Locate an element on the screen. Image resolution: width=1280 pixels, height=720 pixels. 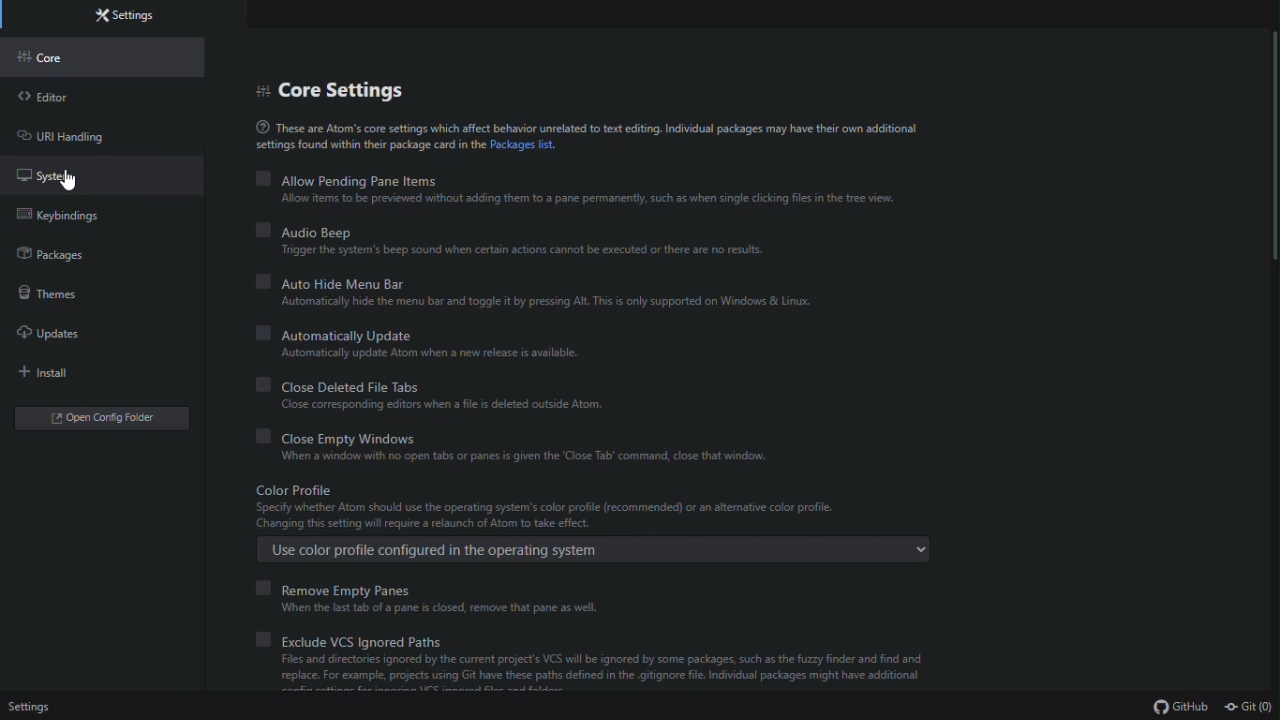
Remove Empty Panes is located at coordinates (339, 588).